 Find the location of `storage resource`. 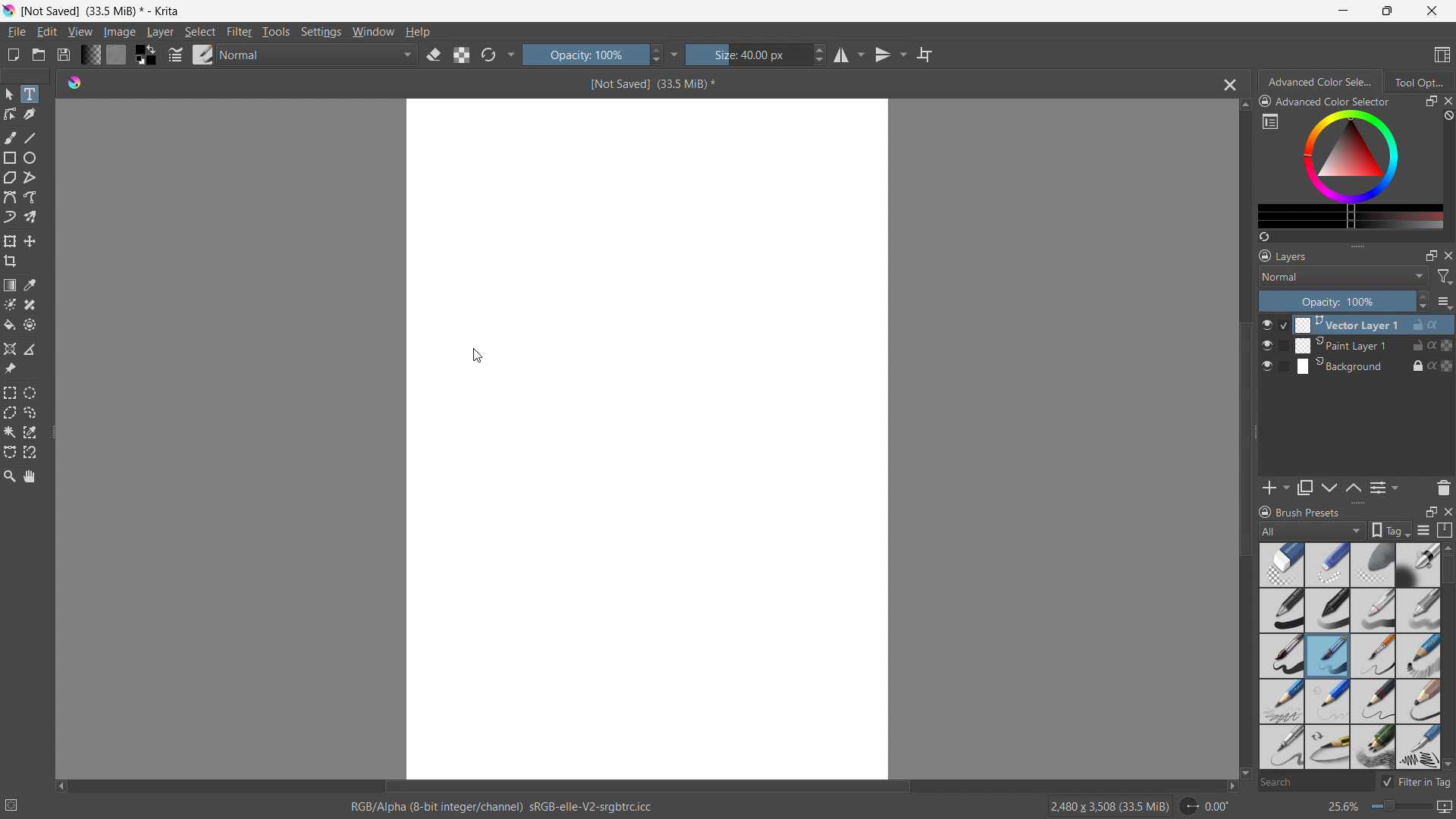

storage resource is located at coordinates (1445, 530).